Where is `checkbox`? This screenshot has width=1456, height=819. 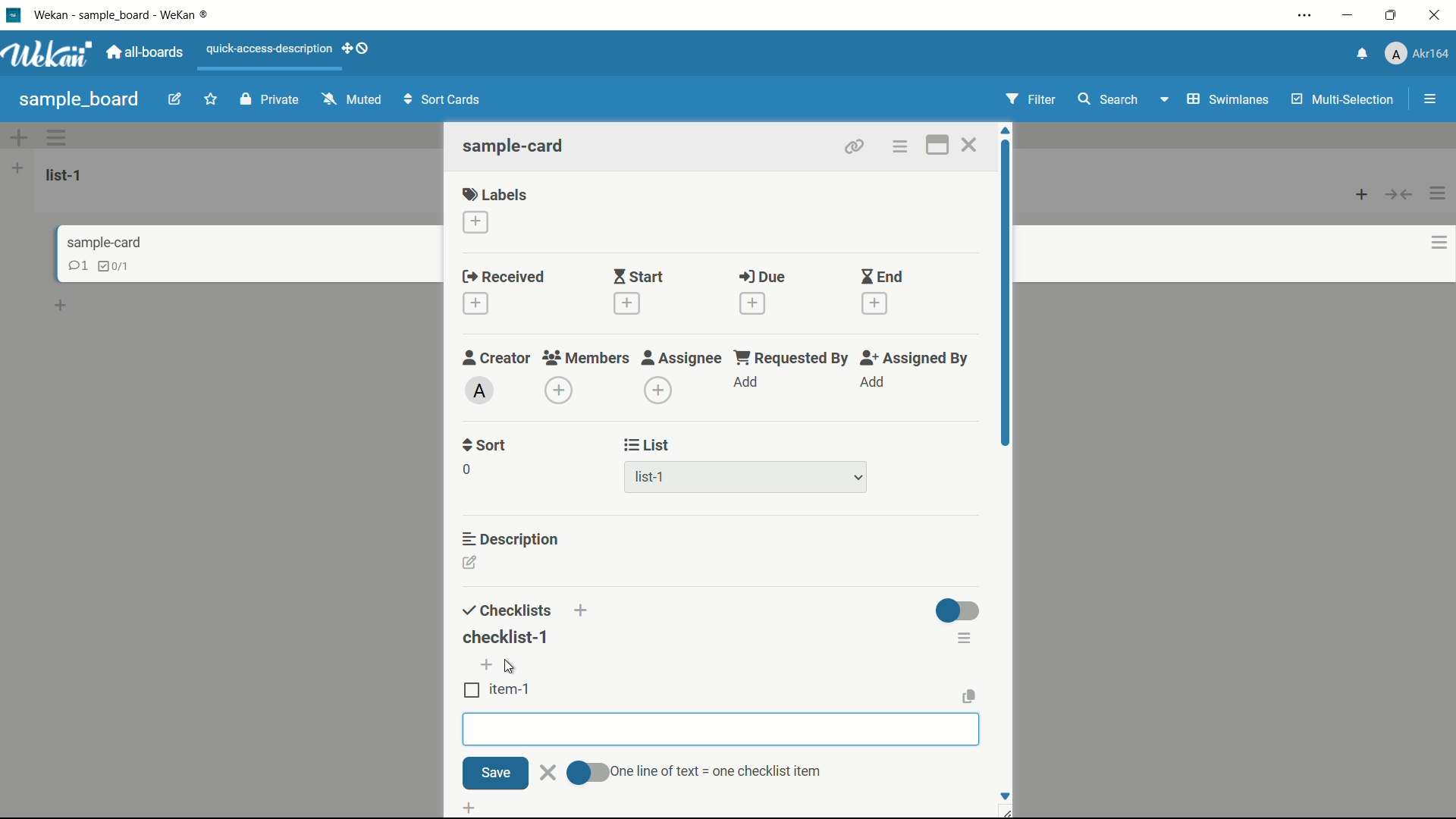
checkbox is located at coordinates (470, 691).